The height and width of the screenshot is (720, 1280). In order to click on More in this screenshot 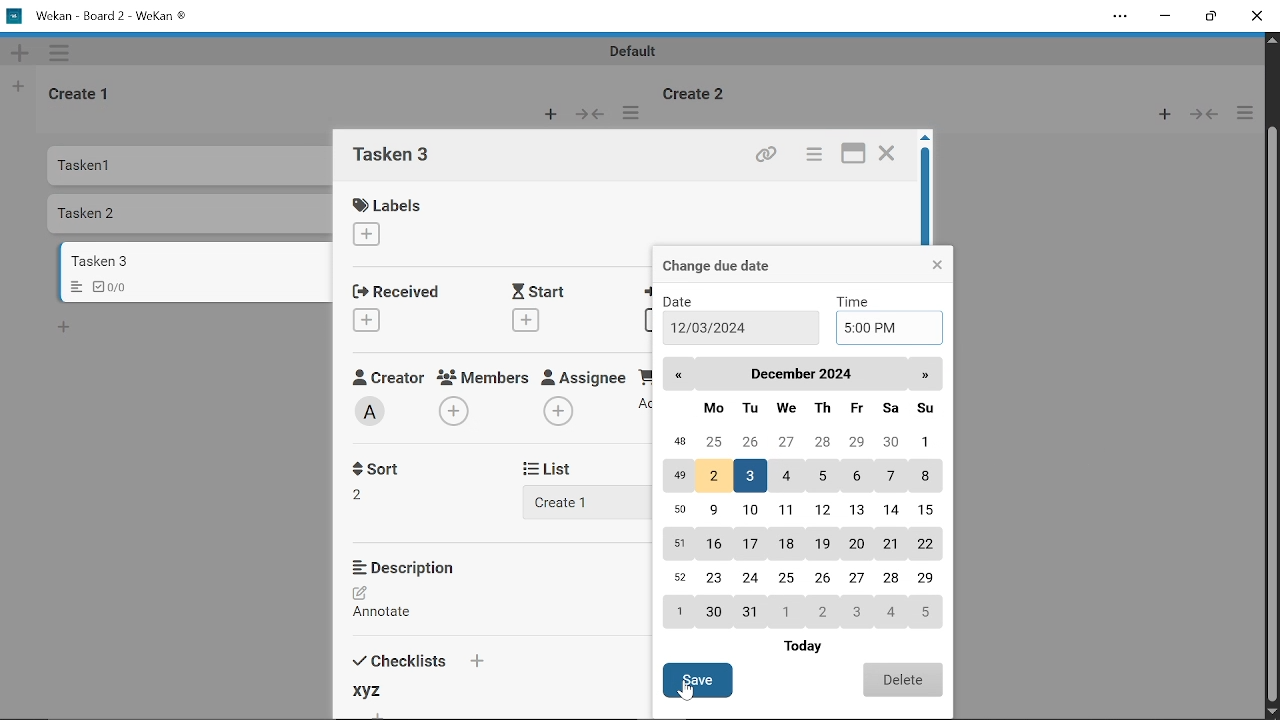, I will do `click(62, 52)`.